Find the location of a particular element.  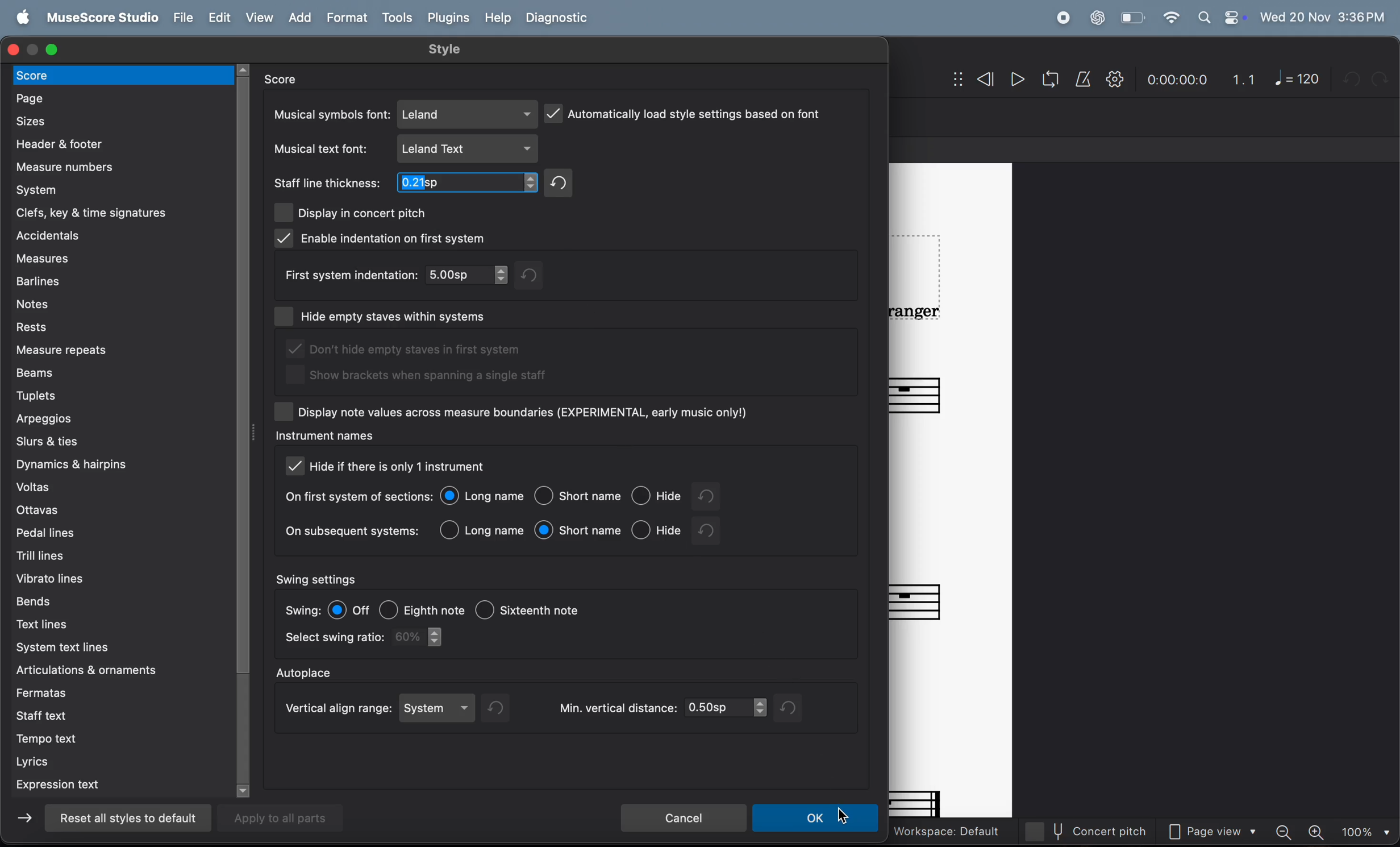

5.00sp is located at coordinates (468, 275).